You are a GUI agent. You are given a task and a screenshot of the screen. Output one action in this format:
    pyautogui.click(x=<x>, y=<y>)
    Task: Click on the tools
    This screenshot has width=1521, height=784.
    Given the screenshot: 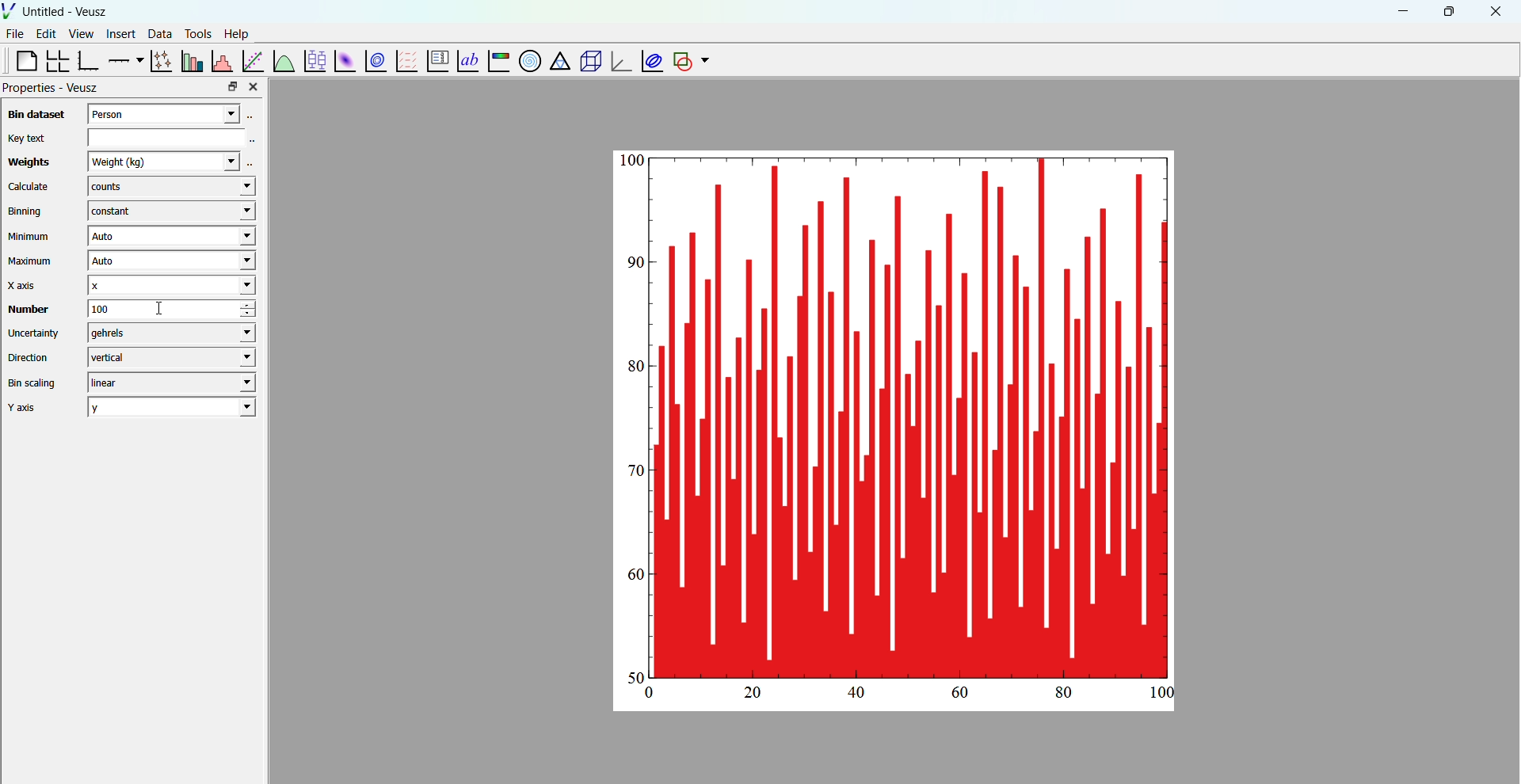 What is the action you would take?
    pyautogui.click(x=196, y=33)
    